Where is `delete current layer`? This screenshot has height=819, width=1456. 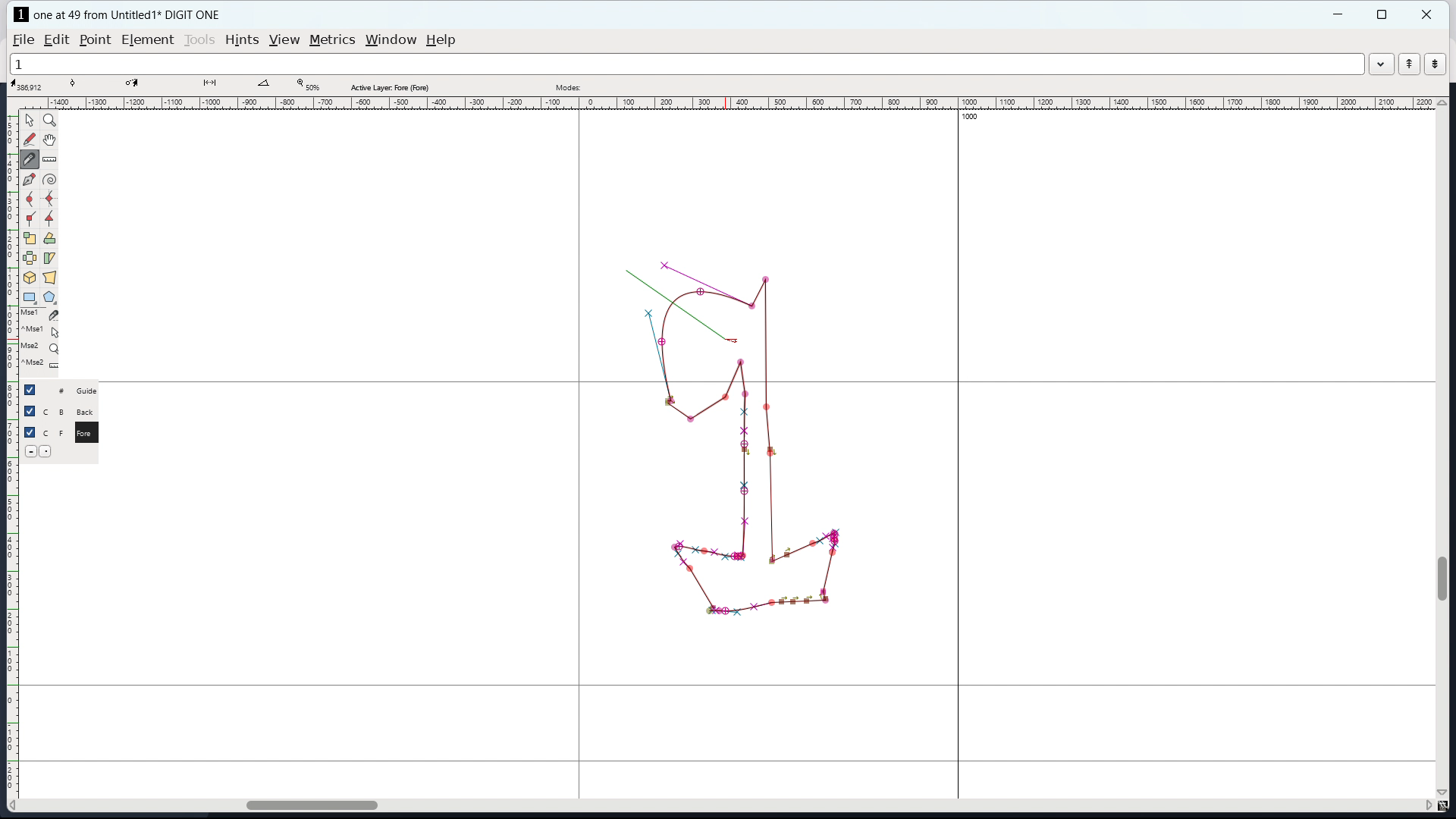
delete current layer is located at coordinates (30, 450).